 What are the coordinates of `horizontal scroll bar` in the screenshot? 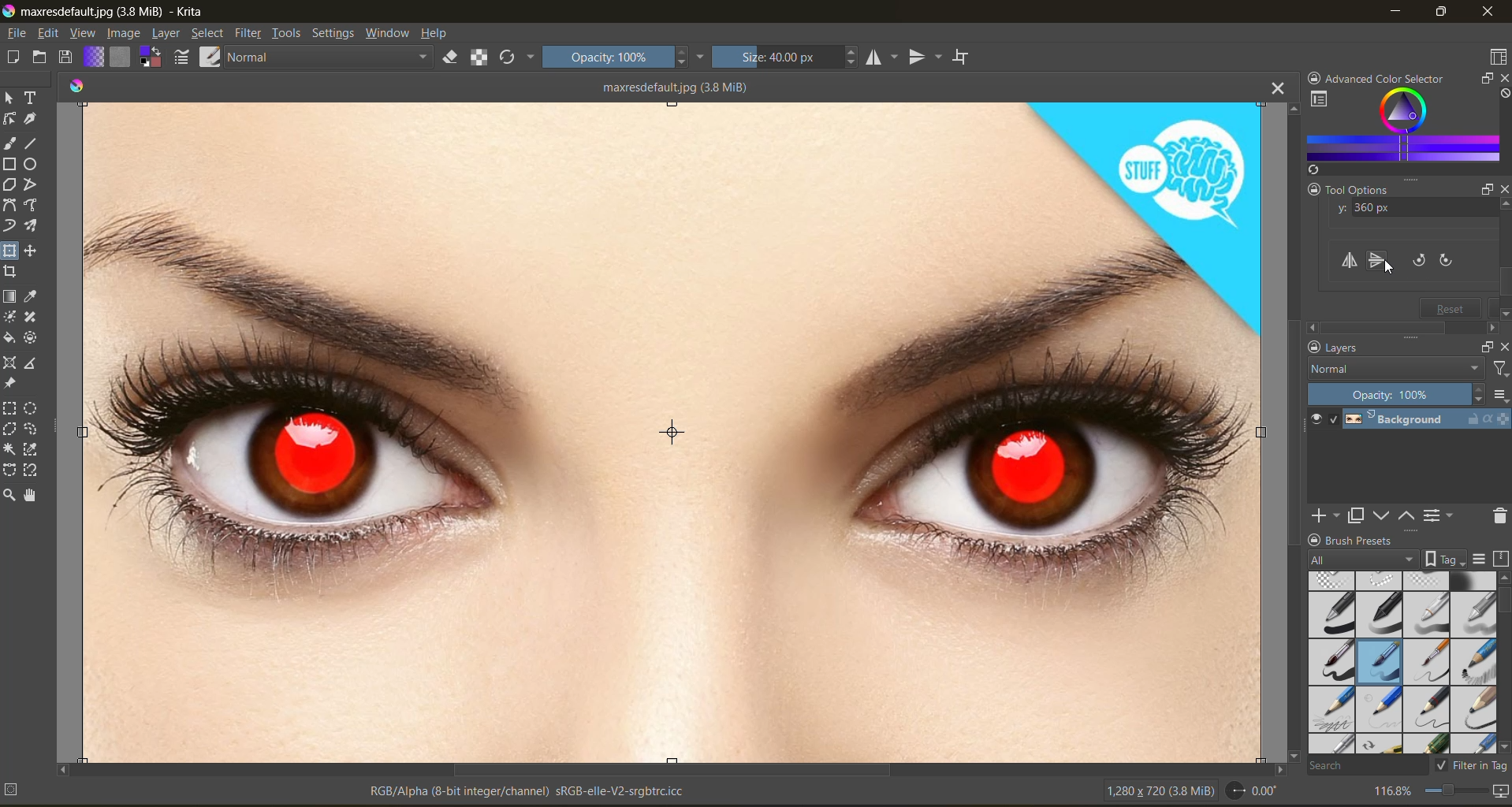 It's located at (672, 768).